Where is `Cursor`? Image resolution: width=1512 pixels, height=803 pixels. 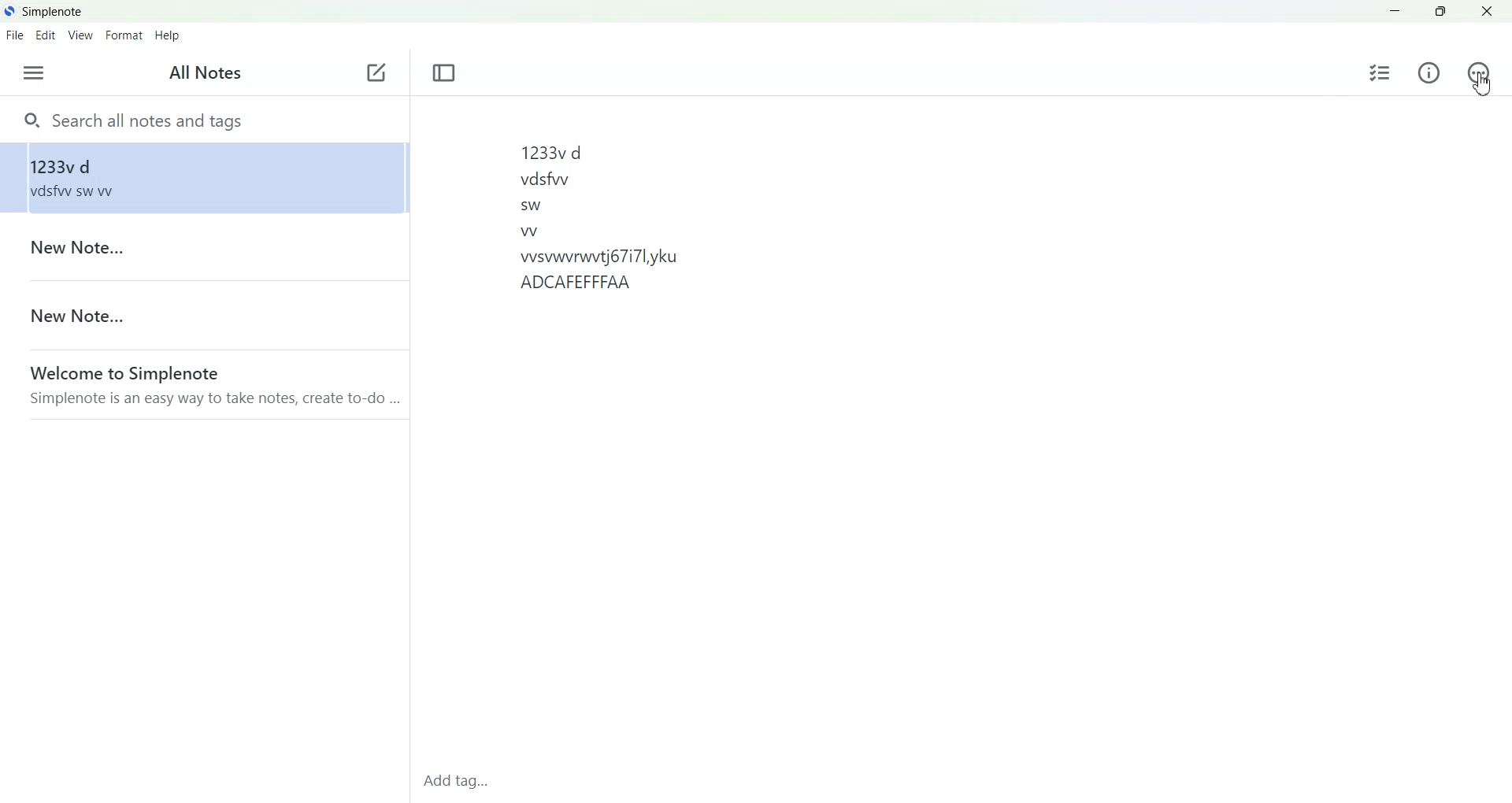 Cursor is located at coordinates (1482, 84).